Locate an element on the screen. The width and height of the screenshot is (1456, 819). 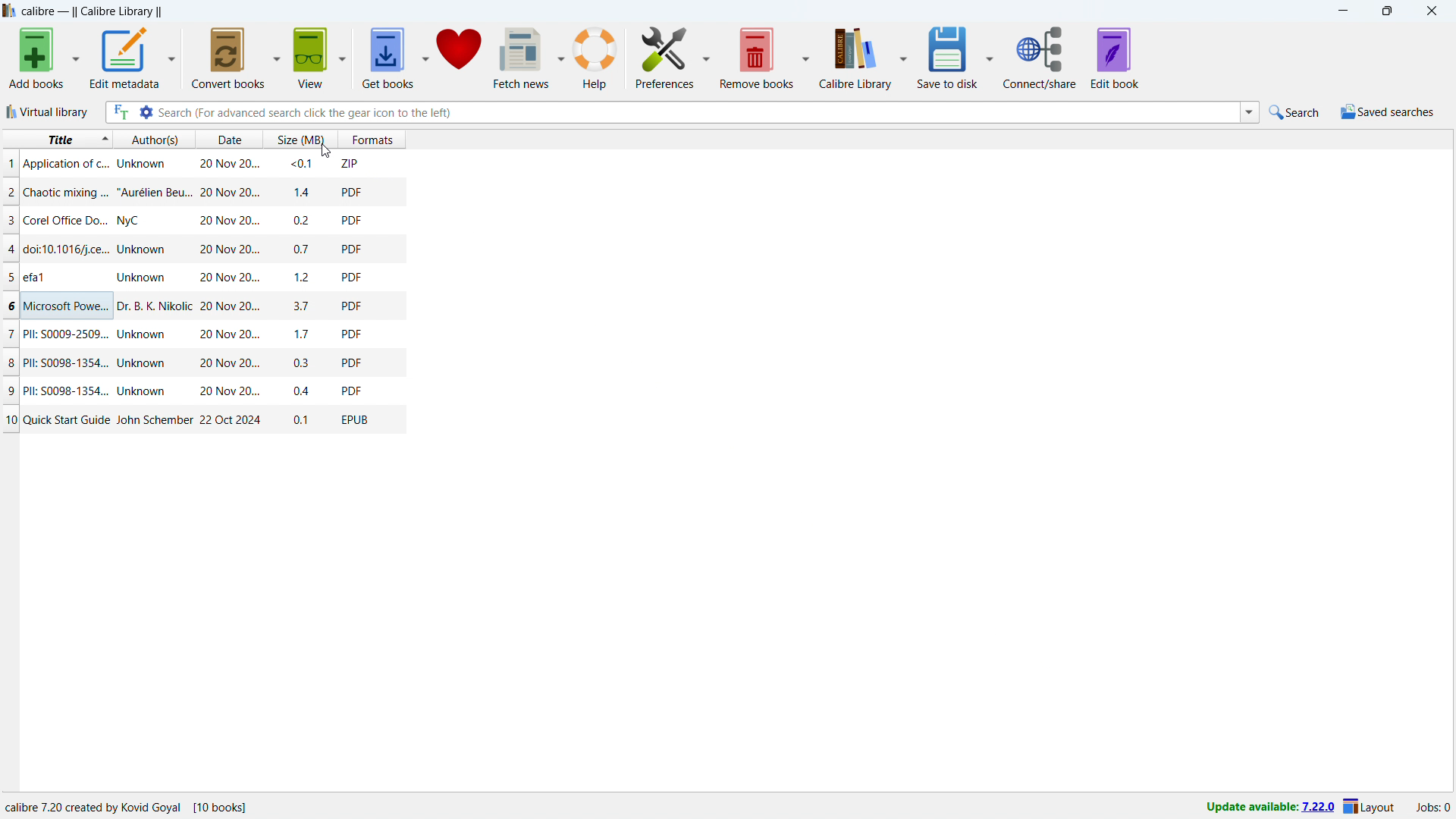
10 is located at coordinates (10, 420).